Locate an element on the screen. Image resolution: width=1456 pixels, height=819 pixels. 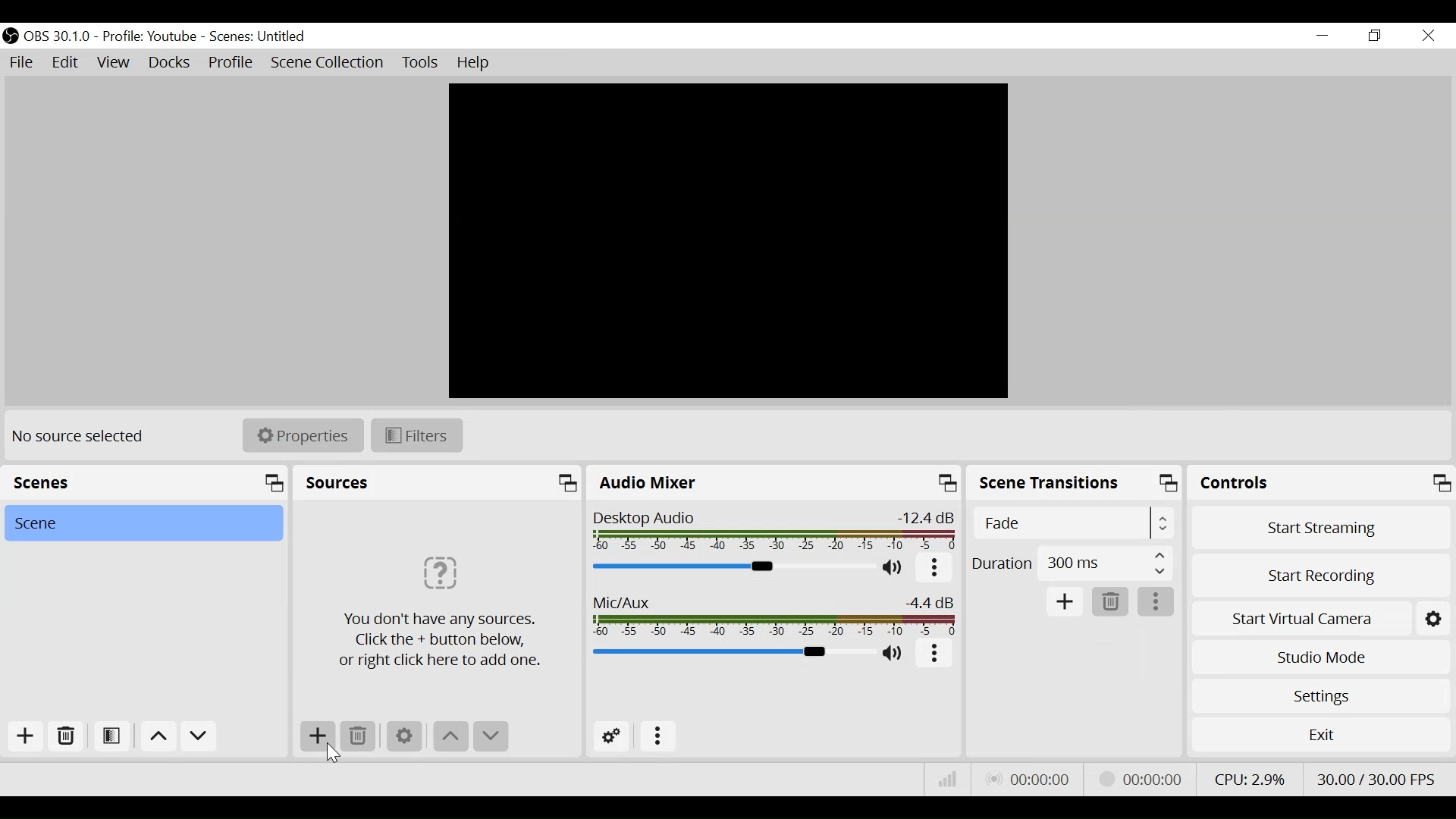
Scene Transitions is located at coordinates (1076, 485).